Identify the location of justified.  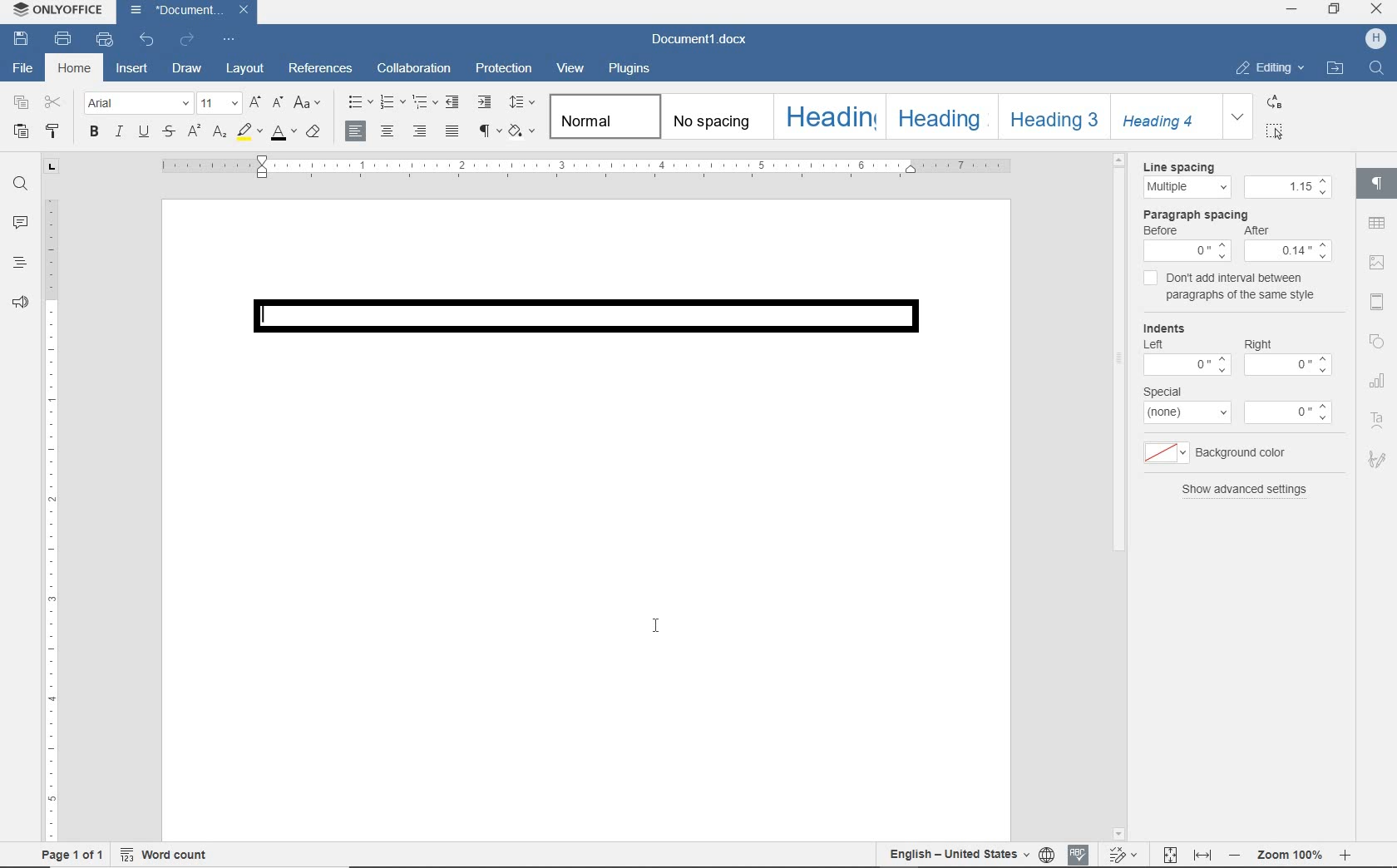
(452, 131).